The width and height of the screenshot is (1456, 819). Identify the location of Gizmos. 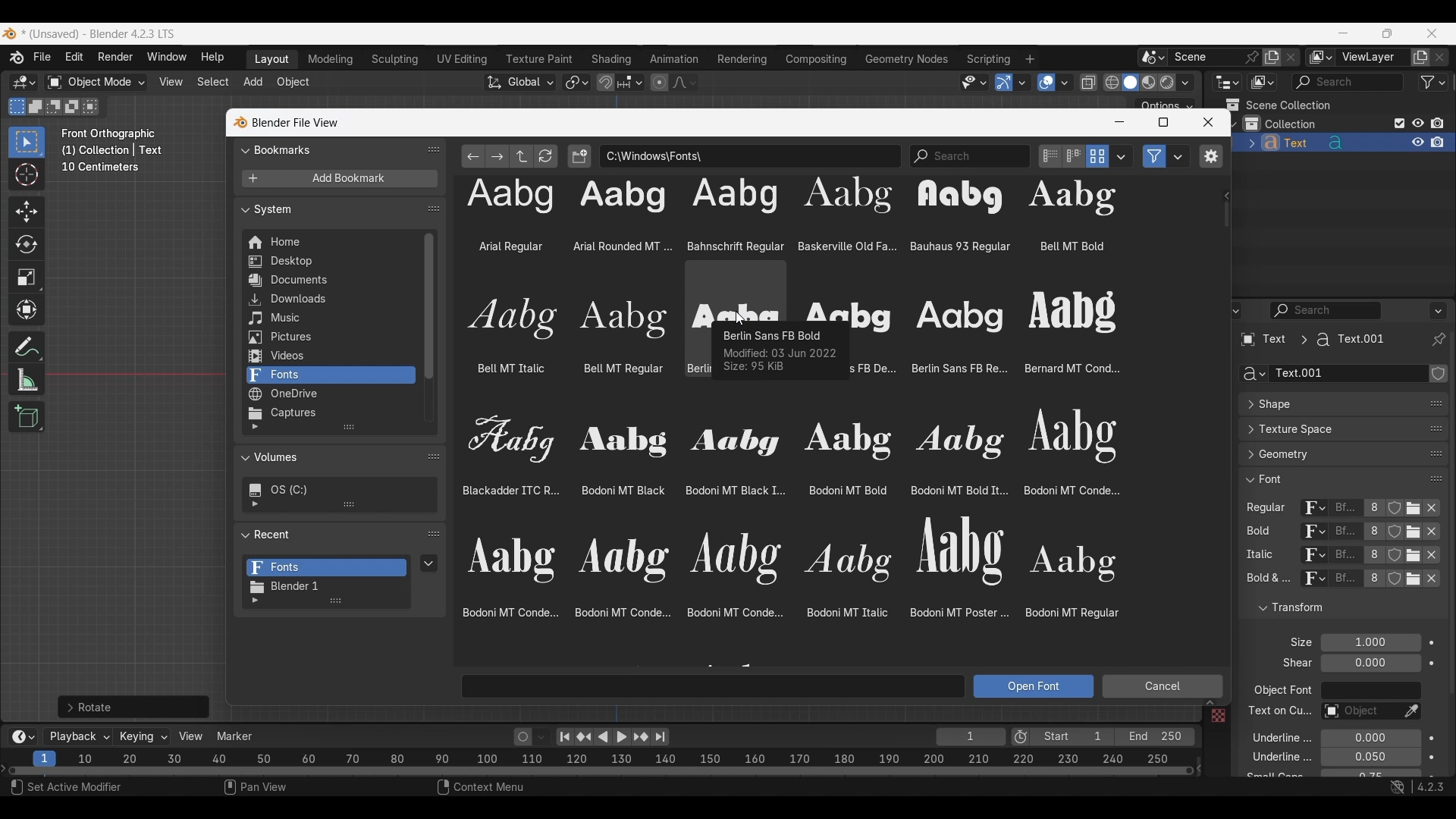
(1022, 82).